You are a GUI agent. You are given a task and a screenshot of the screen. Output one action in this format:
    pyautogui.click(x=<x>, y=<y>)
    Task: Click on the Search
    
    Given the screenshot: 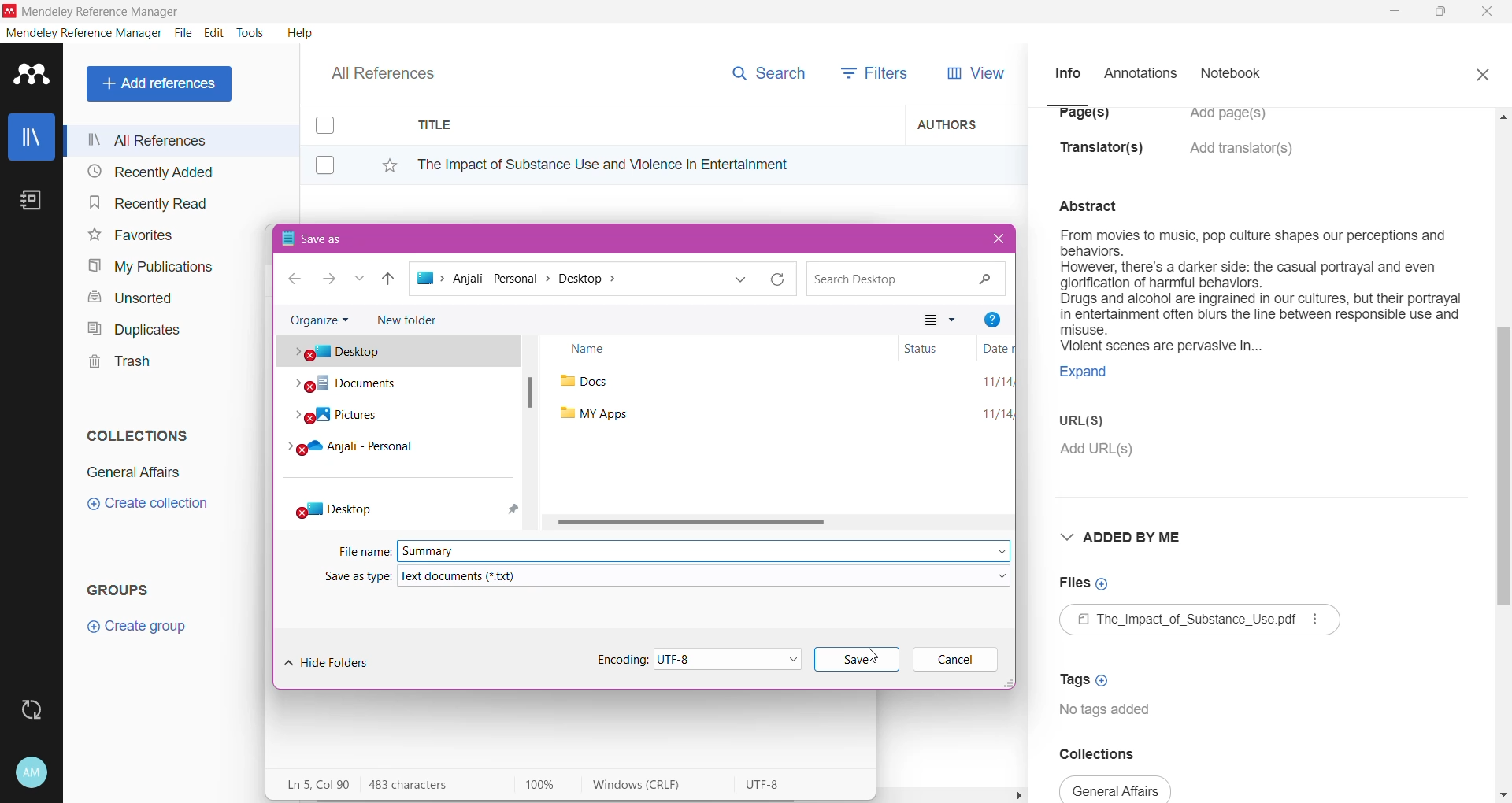 What is the action you would take?
    pyautogui.click(x=768, y=70)
    